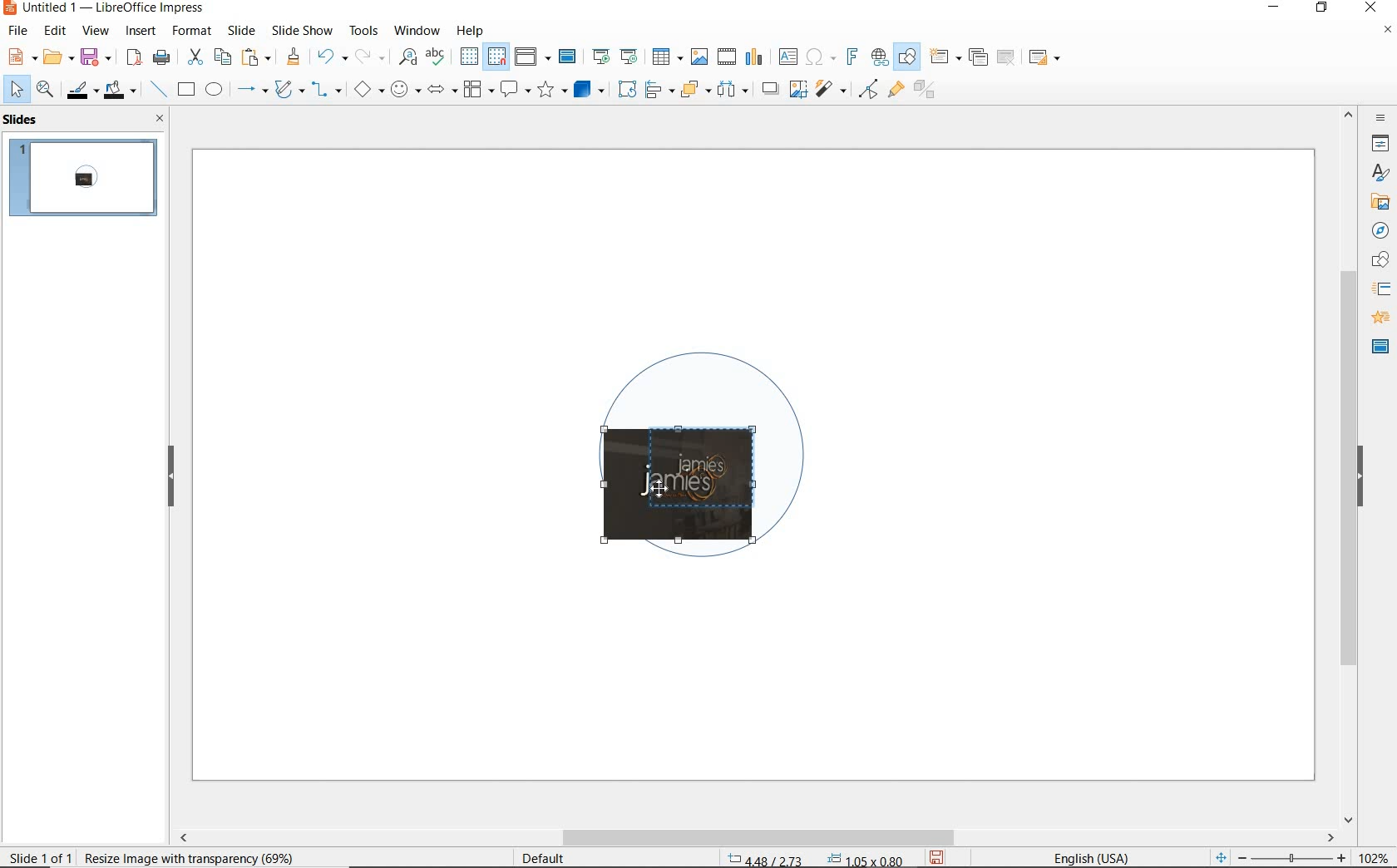 The image size is (1397, 868). Describe the element at coordinates (20, 56) in the screenshot. I see `new` at that location.